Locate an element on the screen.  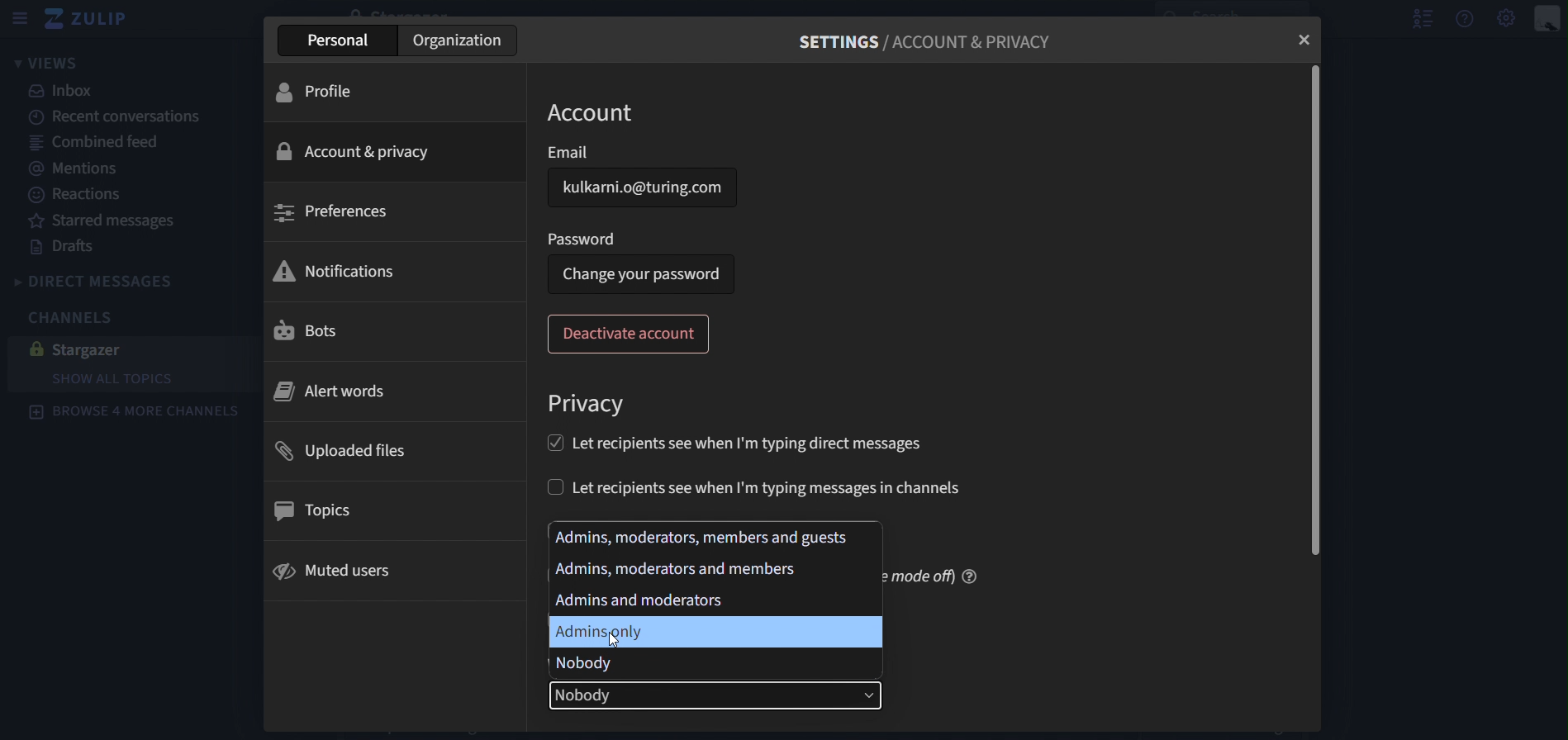
scroll bar is located at coordinates (1317, 311).